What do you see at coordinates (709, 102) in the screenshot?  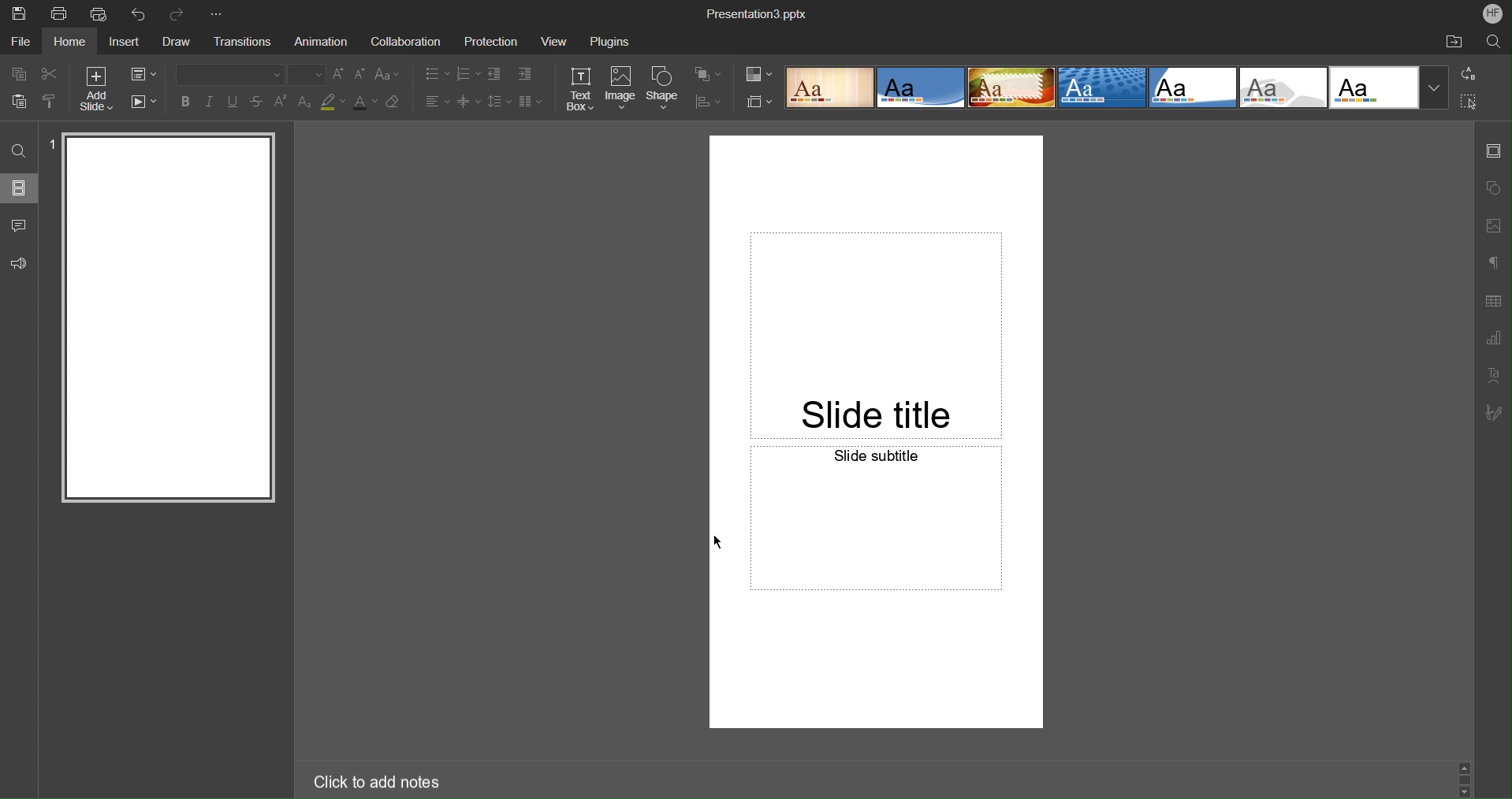 I see `Align` at bounding box center [709, 102].